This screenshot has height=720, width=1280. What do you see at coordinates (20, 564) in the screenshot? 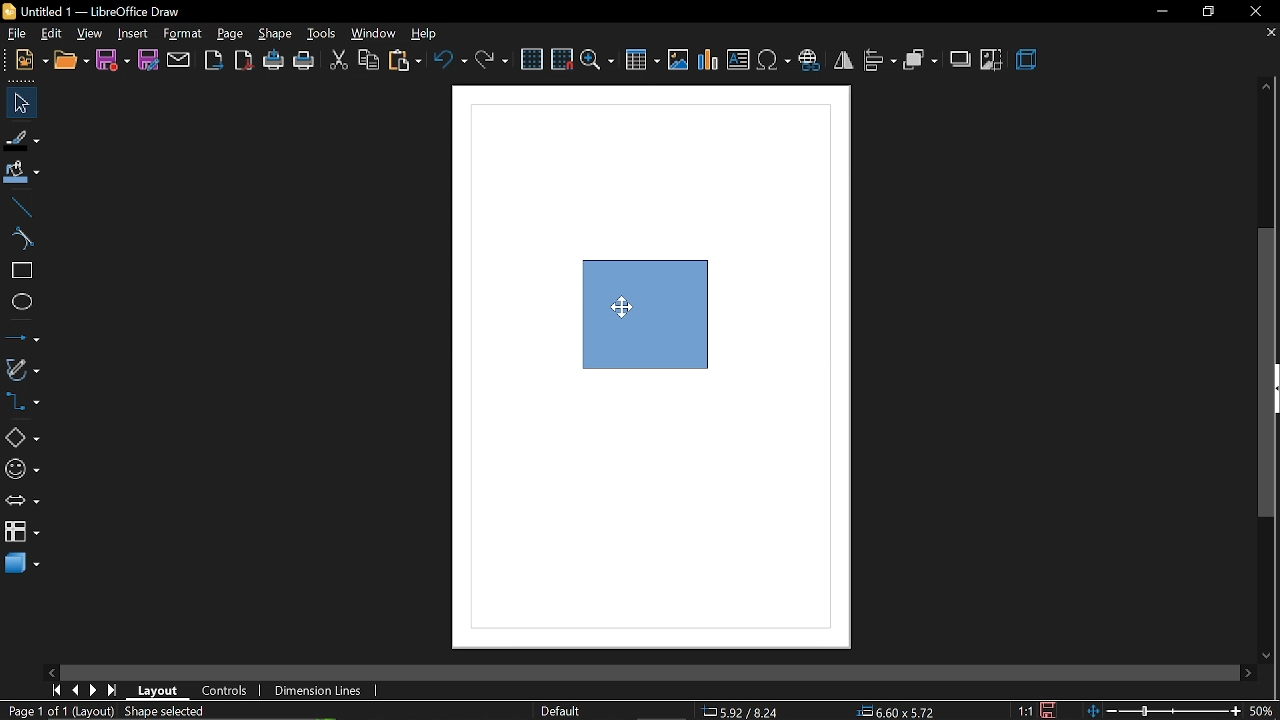
I see `3d shapes` at bounding box center [20, 564].